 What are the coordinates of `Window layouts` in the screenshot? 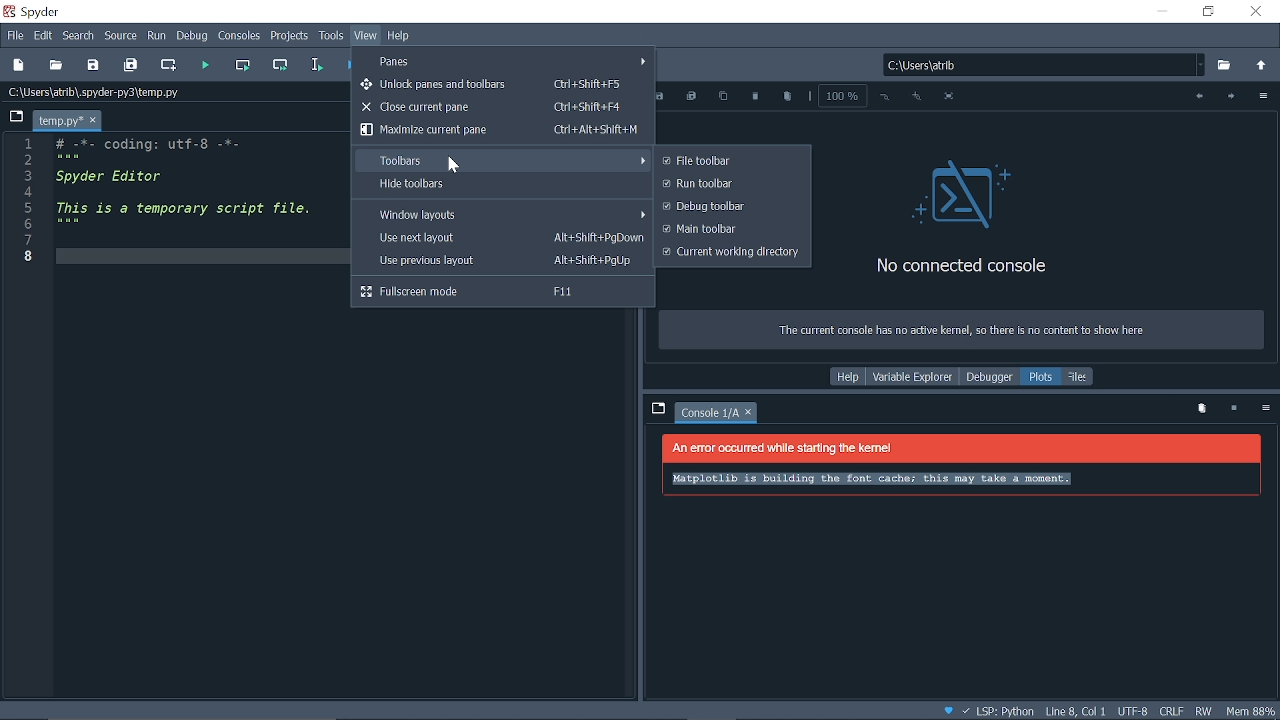 It's located at (502, 213).